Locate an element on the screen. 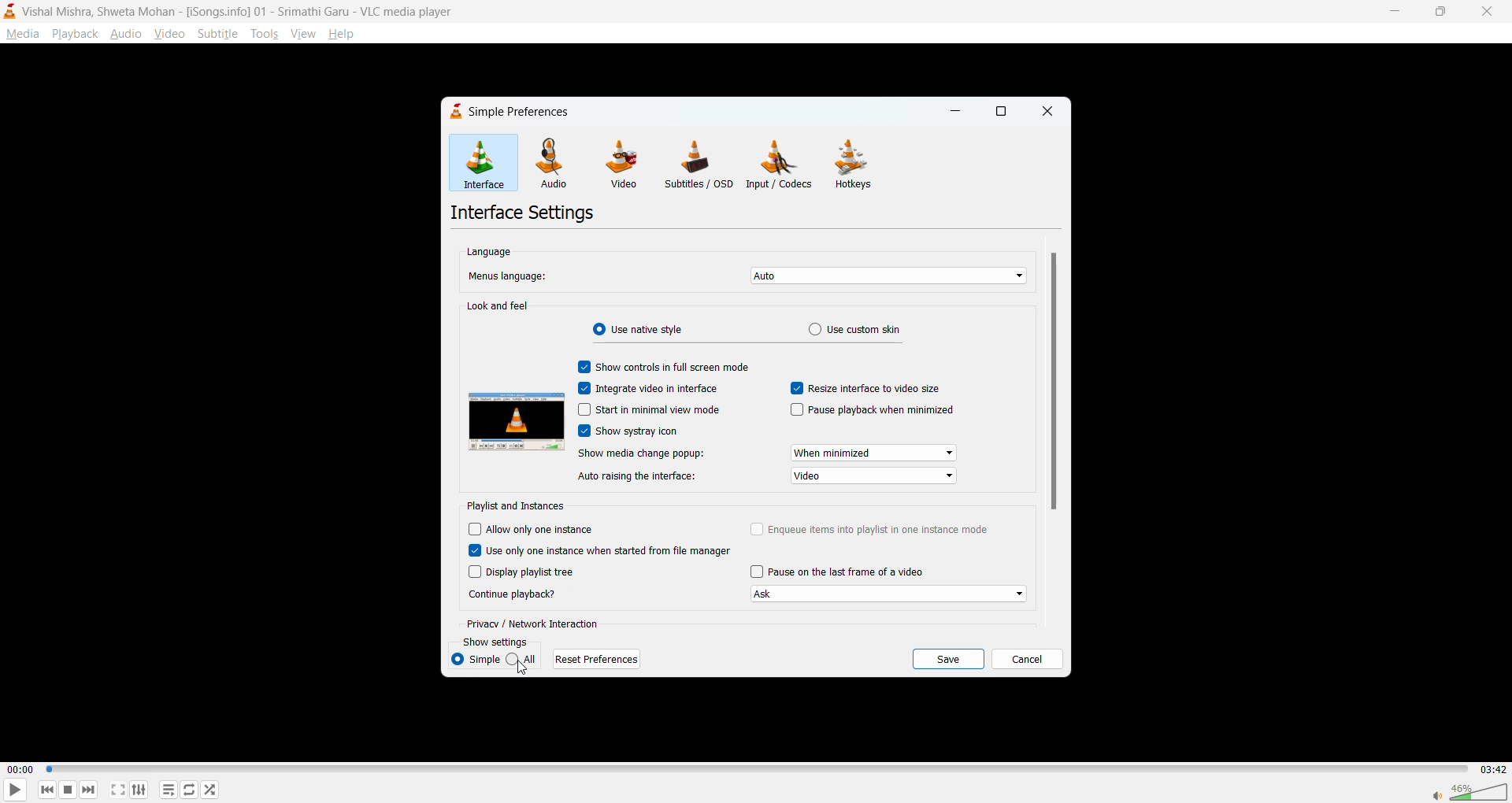 The height and width of the screenshot is (803, 1512). input/codecs is located at coordinates (782, 164).